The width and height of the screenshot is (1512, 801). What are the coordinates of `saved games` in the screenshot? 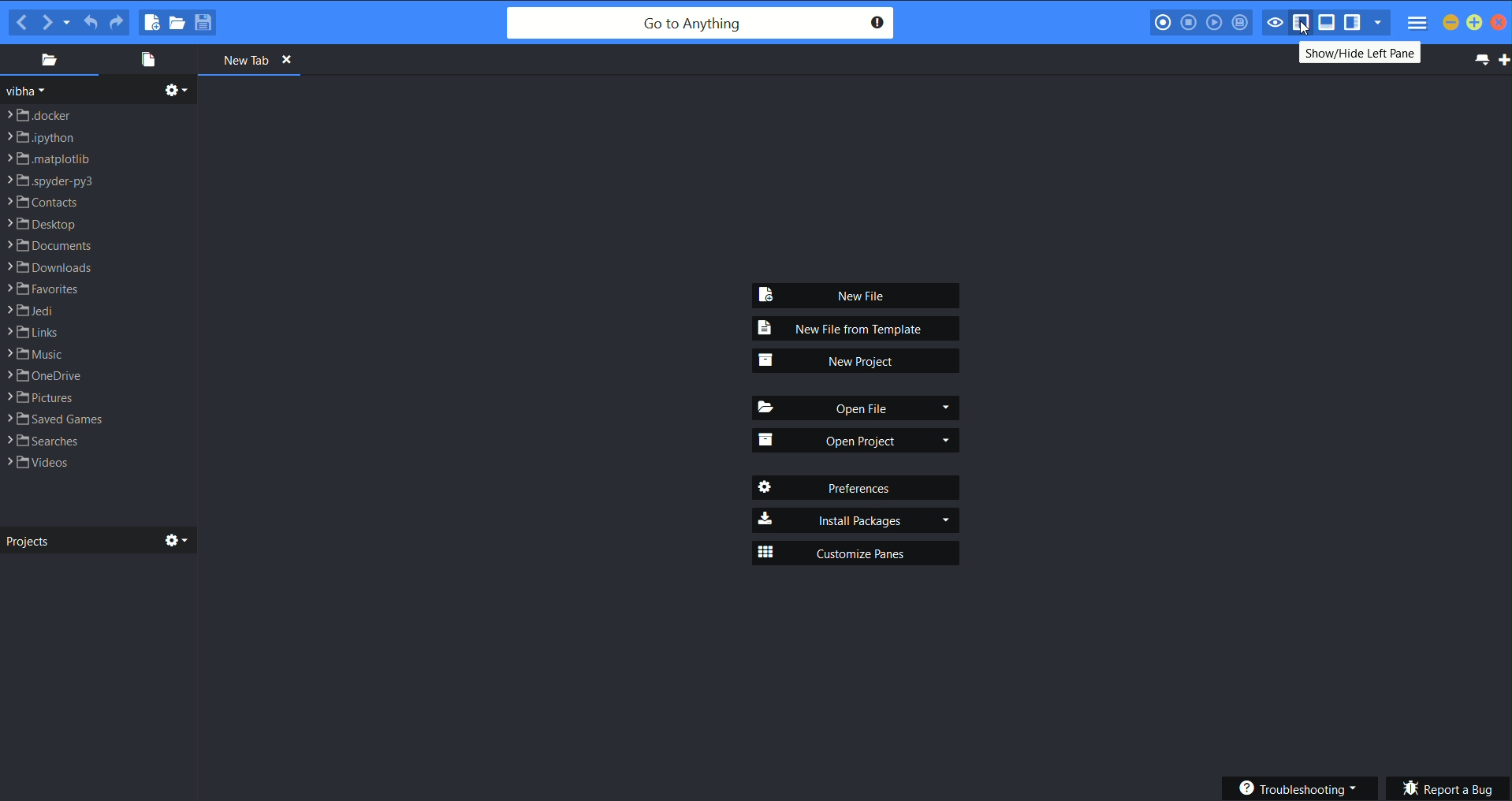 It's located at (54, 419).